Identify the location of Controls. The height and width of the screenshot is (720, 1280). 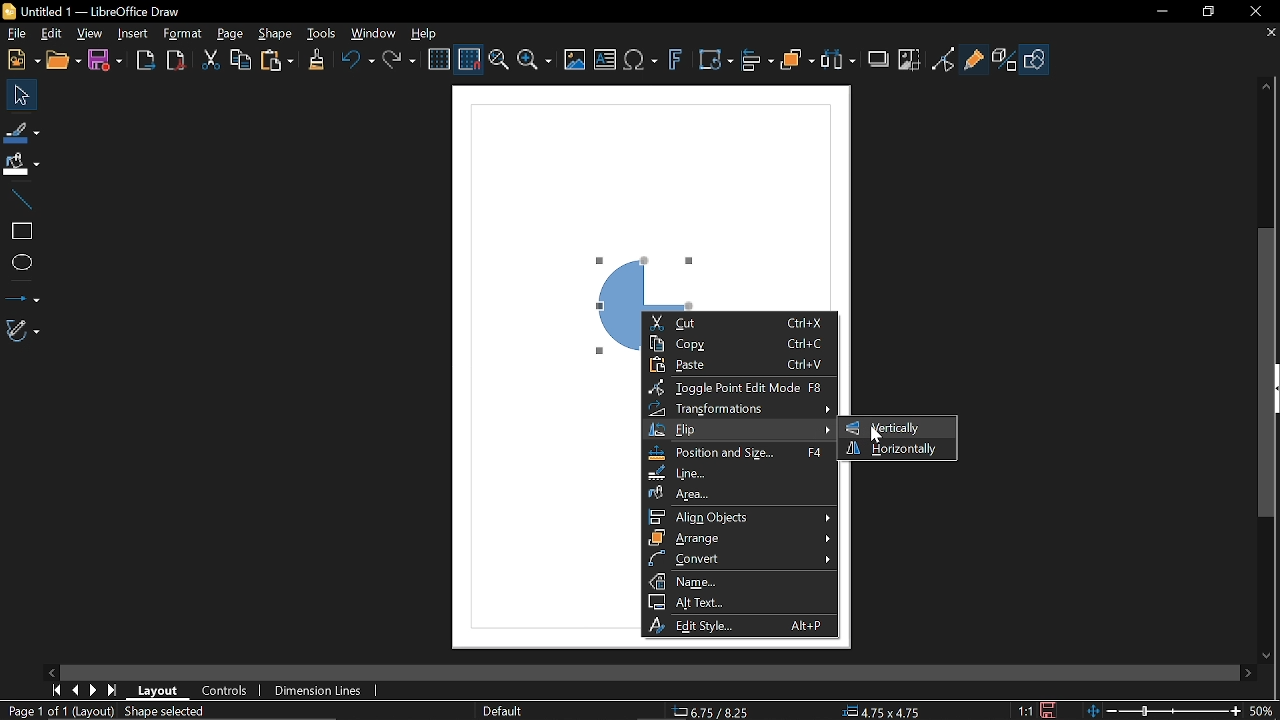
(226, 691).